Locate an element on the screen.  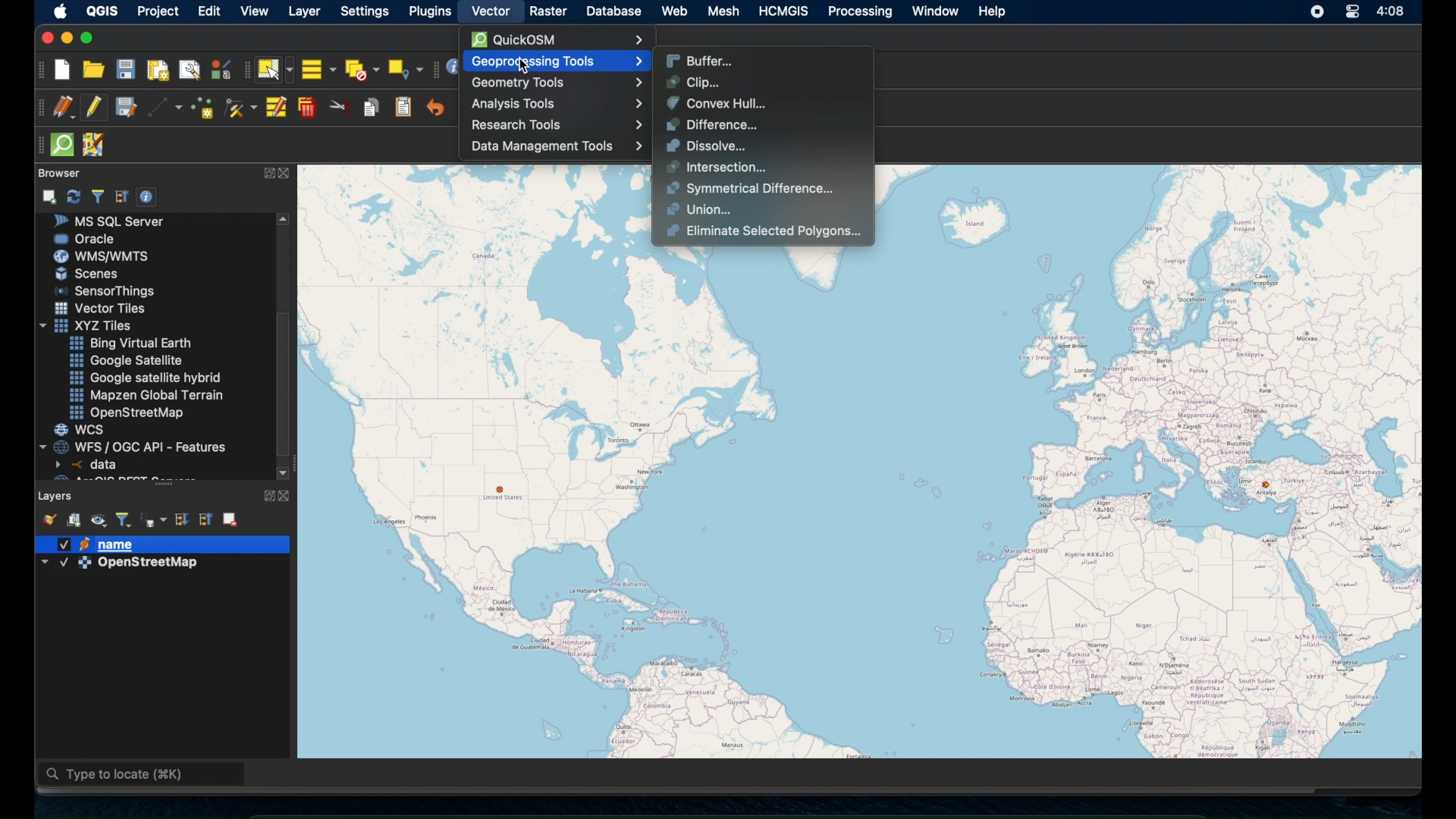
open print layout is located at coordinates (158, 72).